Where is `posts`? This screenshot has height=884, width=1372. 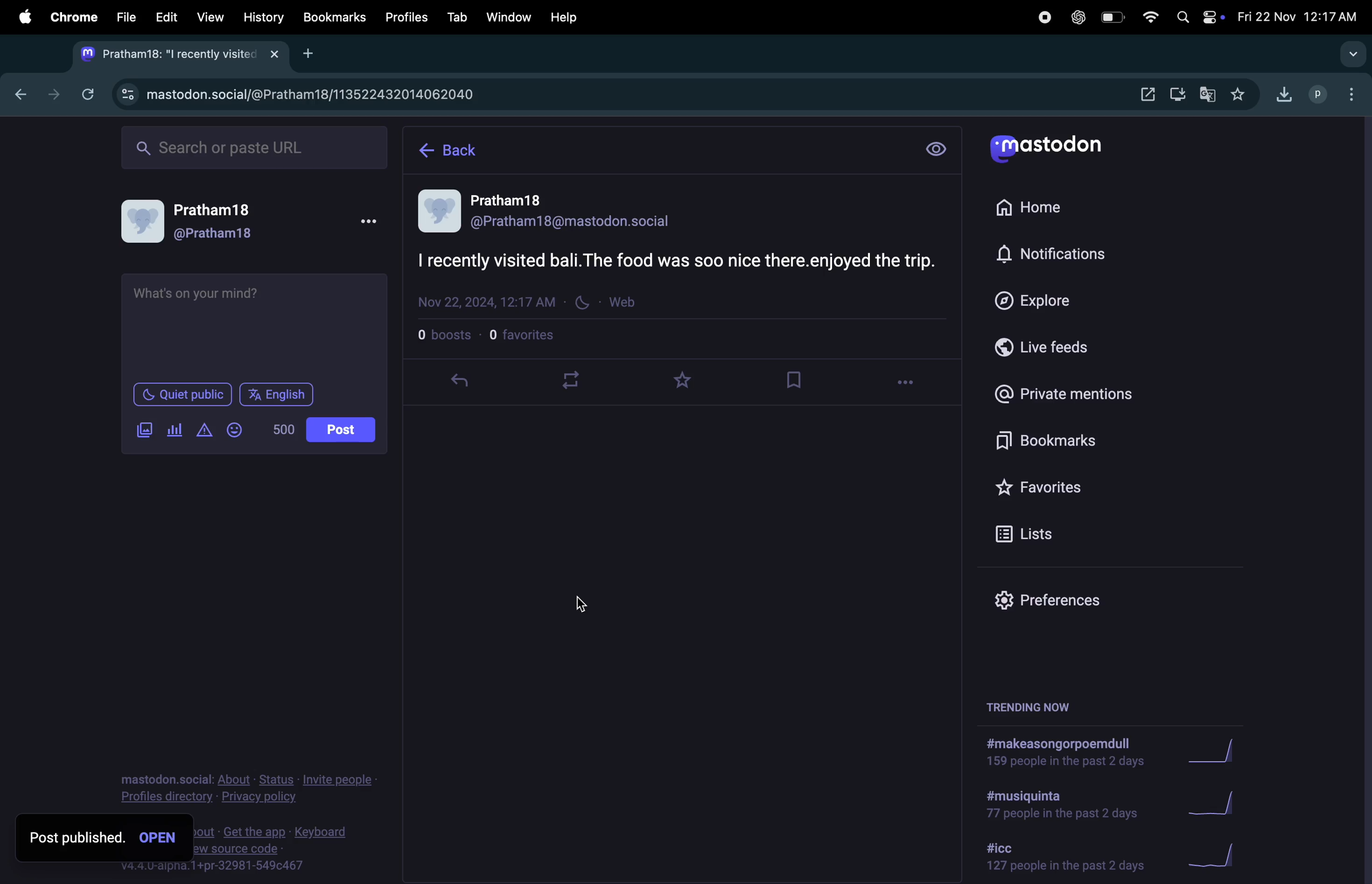 posts is located at coordinates (341, 431).